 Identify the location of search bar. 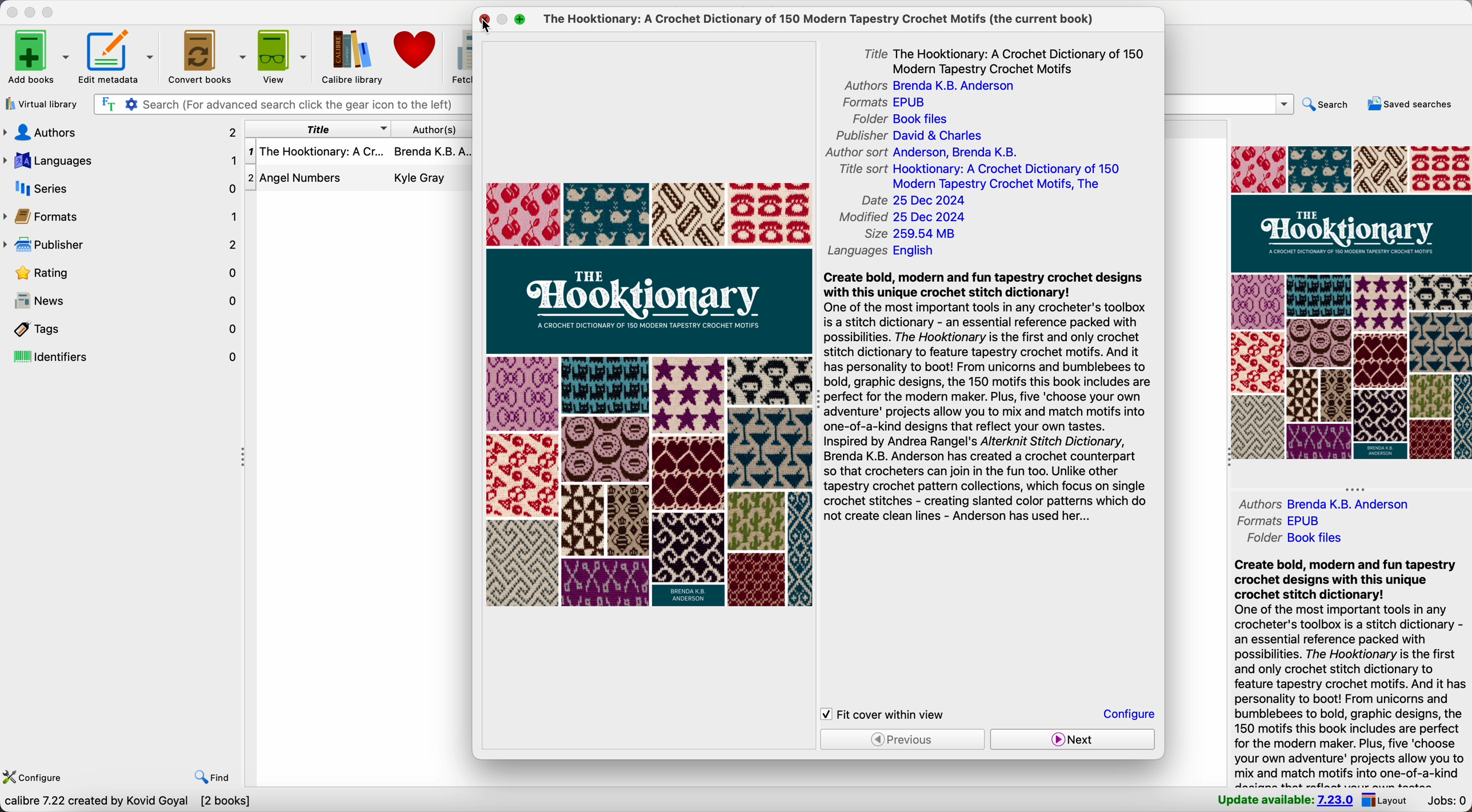
(281, 105).